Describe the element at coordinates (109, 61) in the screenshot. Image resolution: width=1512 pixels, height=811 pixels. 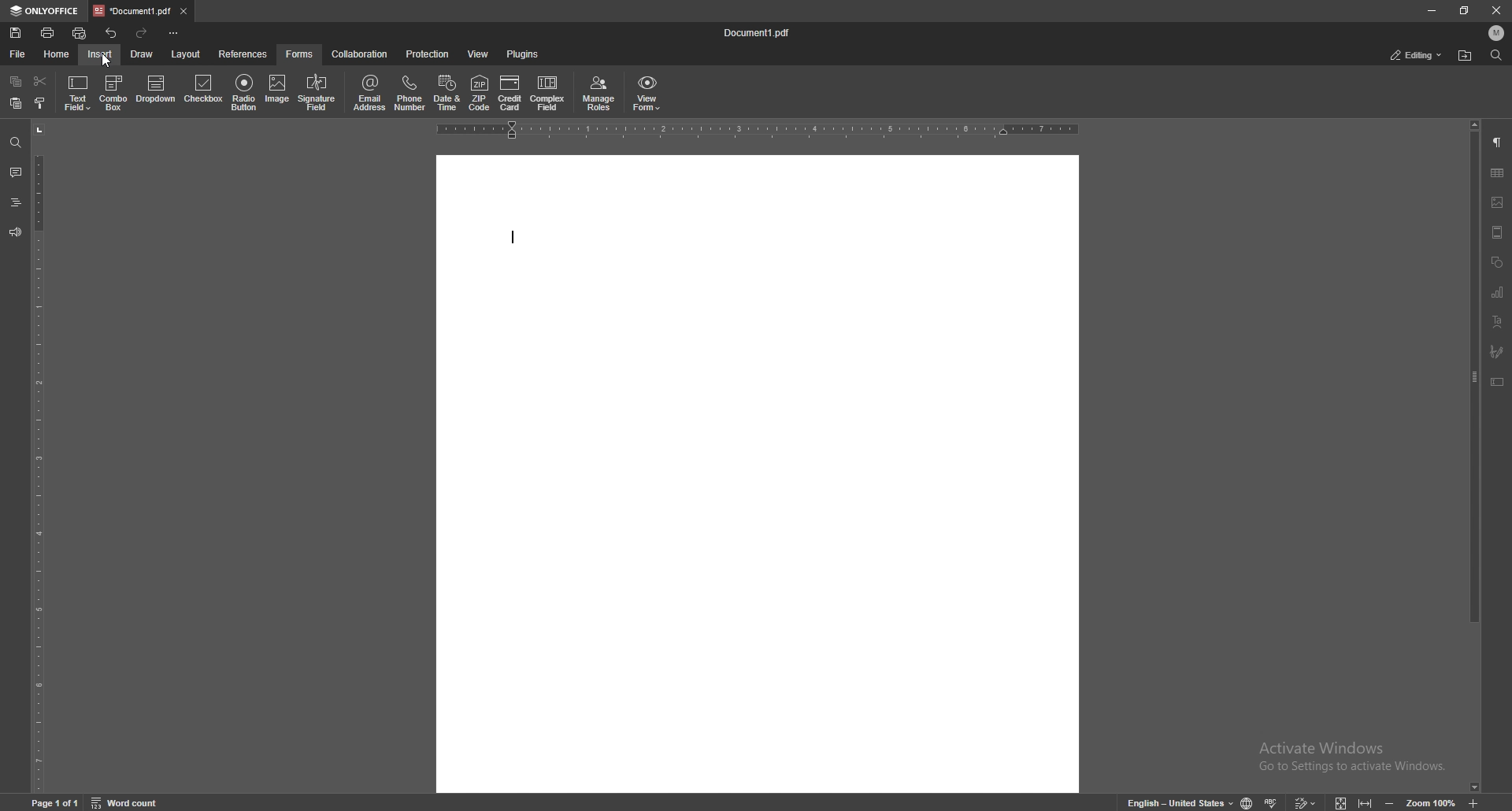
I see `cursor` at that location.